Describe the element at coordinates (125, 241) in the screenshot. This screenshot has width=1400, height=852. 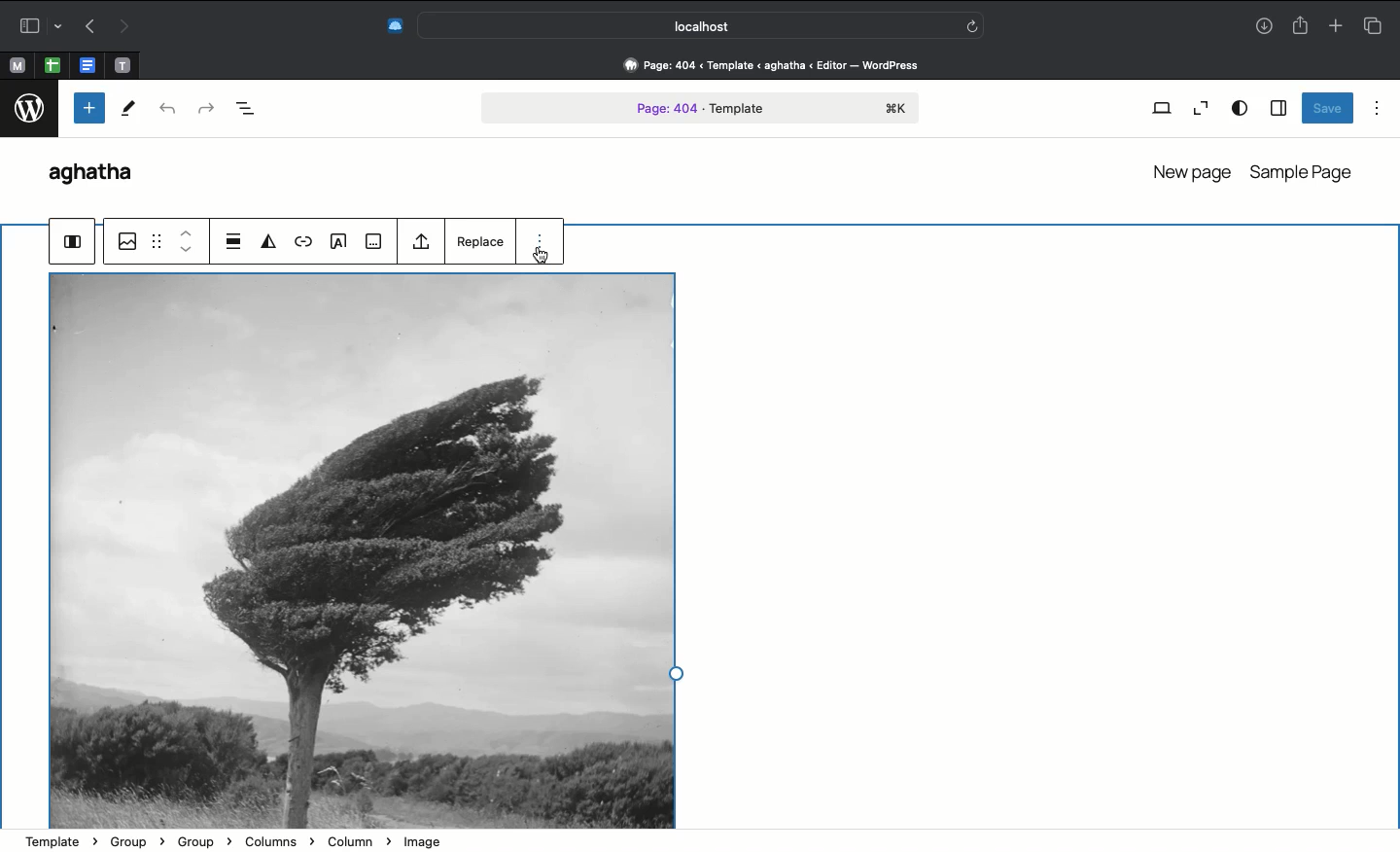
I see `Image` at that location.